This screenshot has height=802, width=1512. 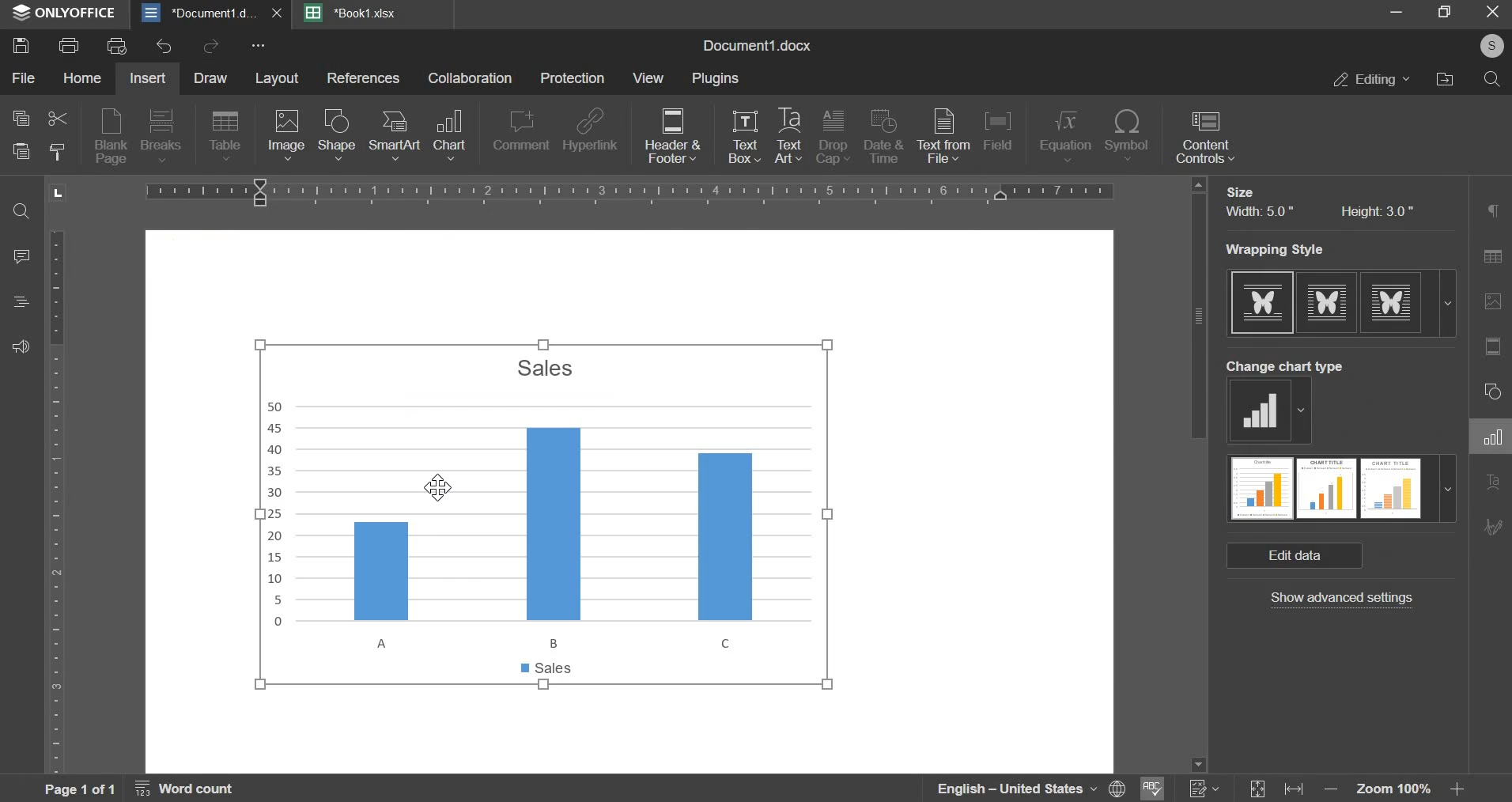 What do you see at coordinates (1493, 13) in the screenshot?
I see `exit` at bounding box center [1493, 13].